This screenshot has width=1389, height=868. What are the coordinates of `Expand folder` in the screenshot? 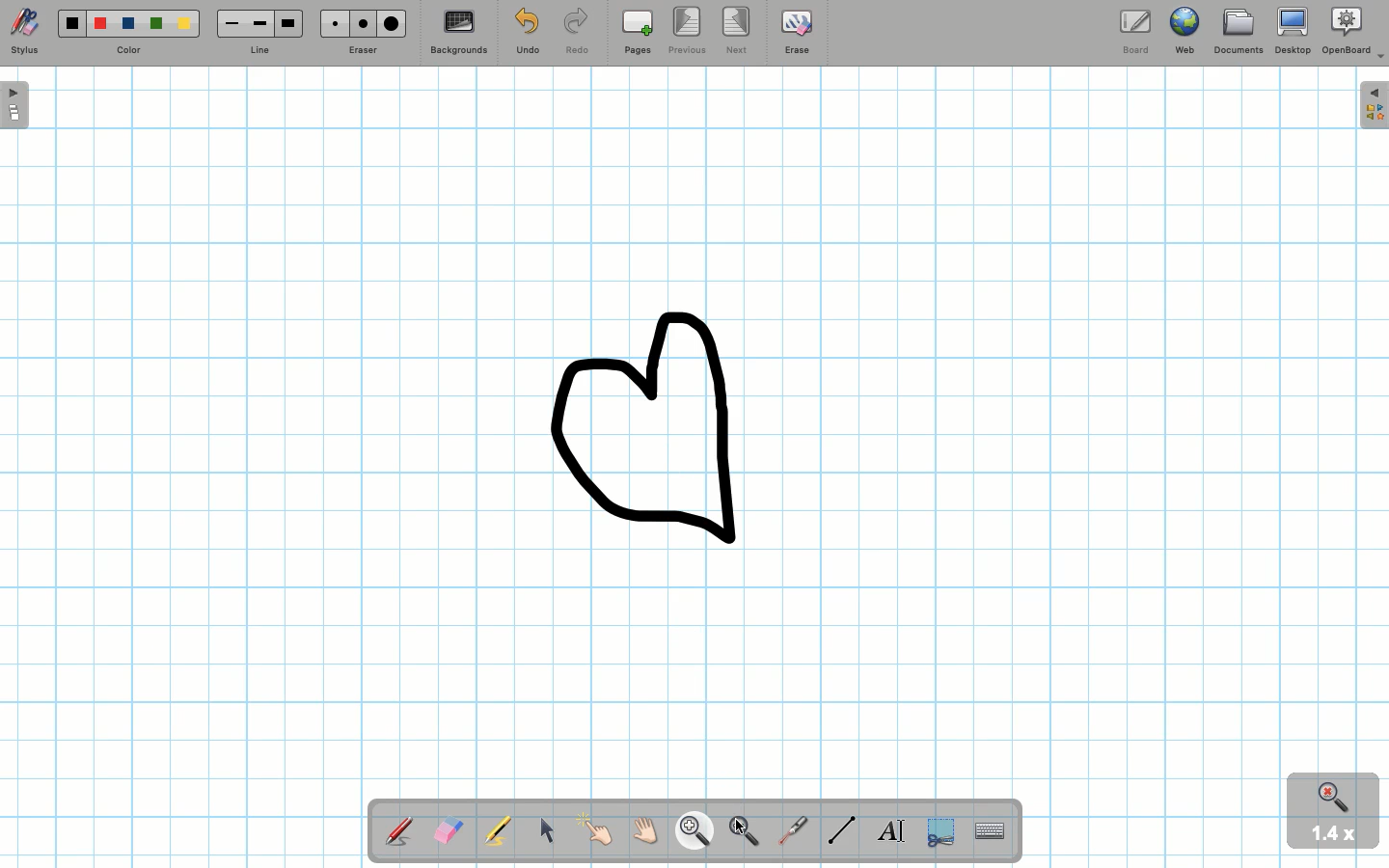 It's located at (1374, 106).